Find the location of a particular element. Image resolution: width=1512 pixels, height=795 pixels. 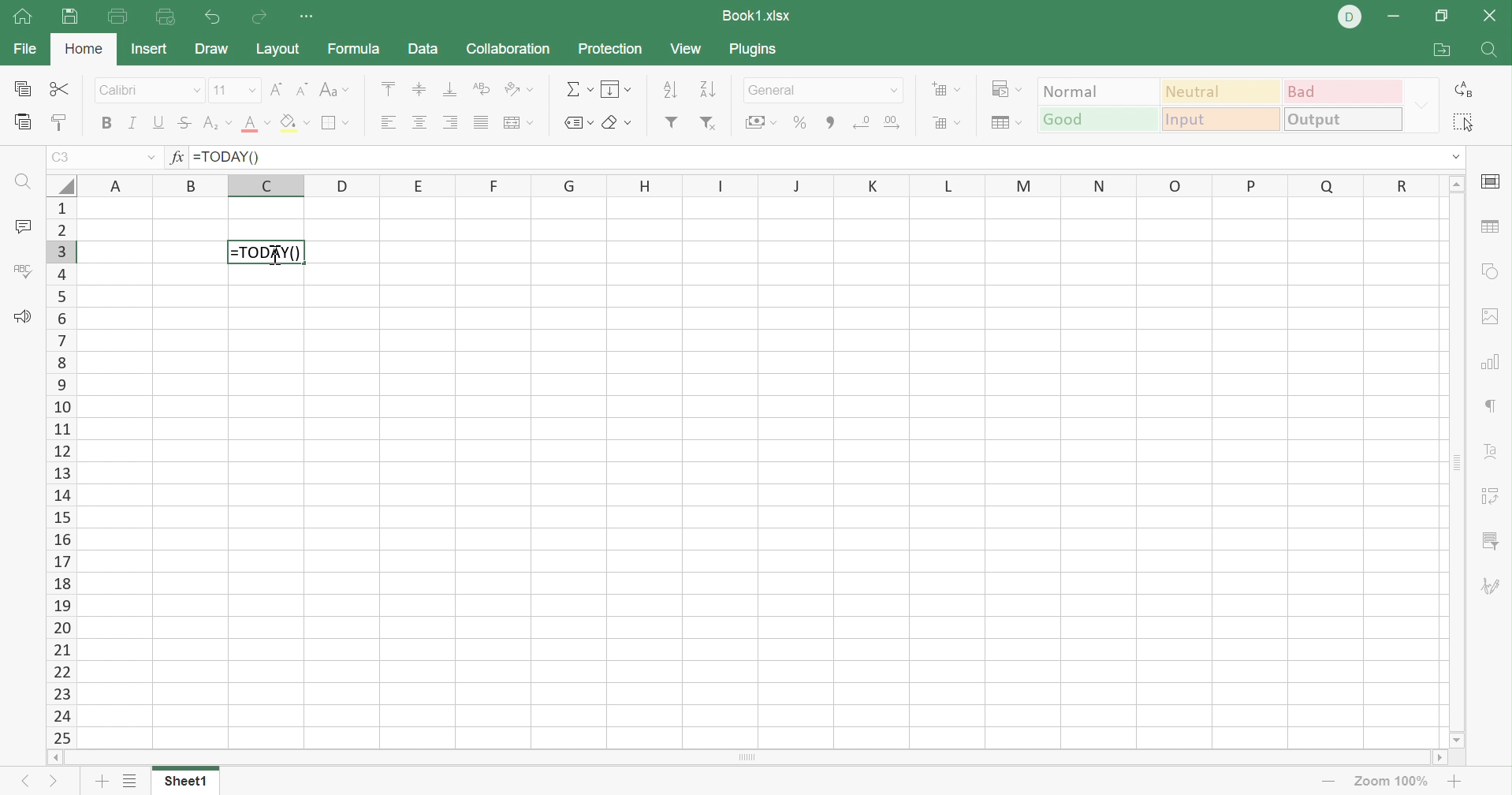

Collaboration is located at coordinates (511, 49).